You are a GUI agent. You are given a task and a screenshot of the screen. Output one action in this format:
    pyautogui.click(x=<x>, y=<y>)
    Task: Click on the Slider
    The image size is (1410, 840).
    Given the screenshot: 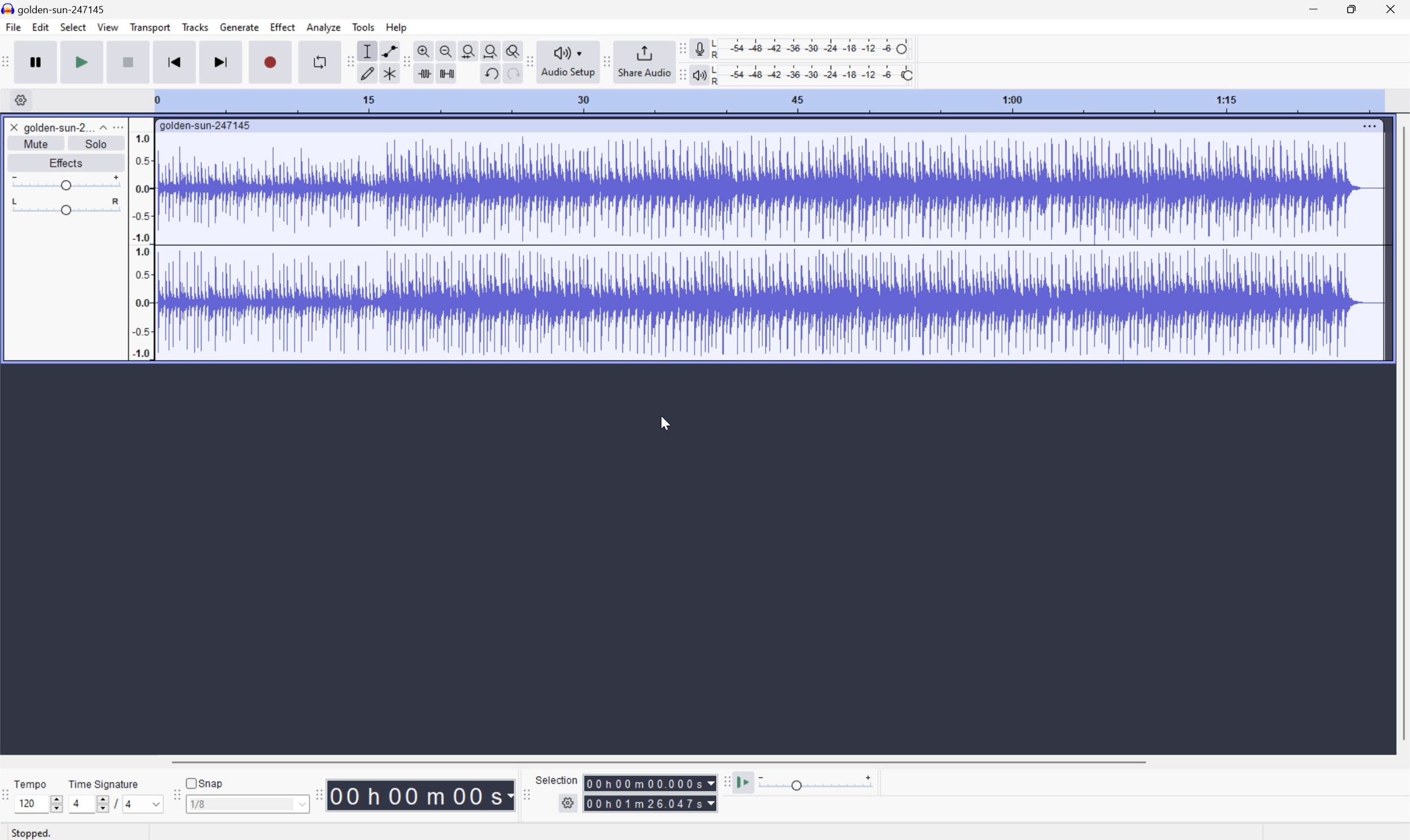 What is the action you would take?
    pyautogui.click(x=62, y=207)
    